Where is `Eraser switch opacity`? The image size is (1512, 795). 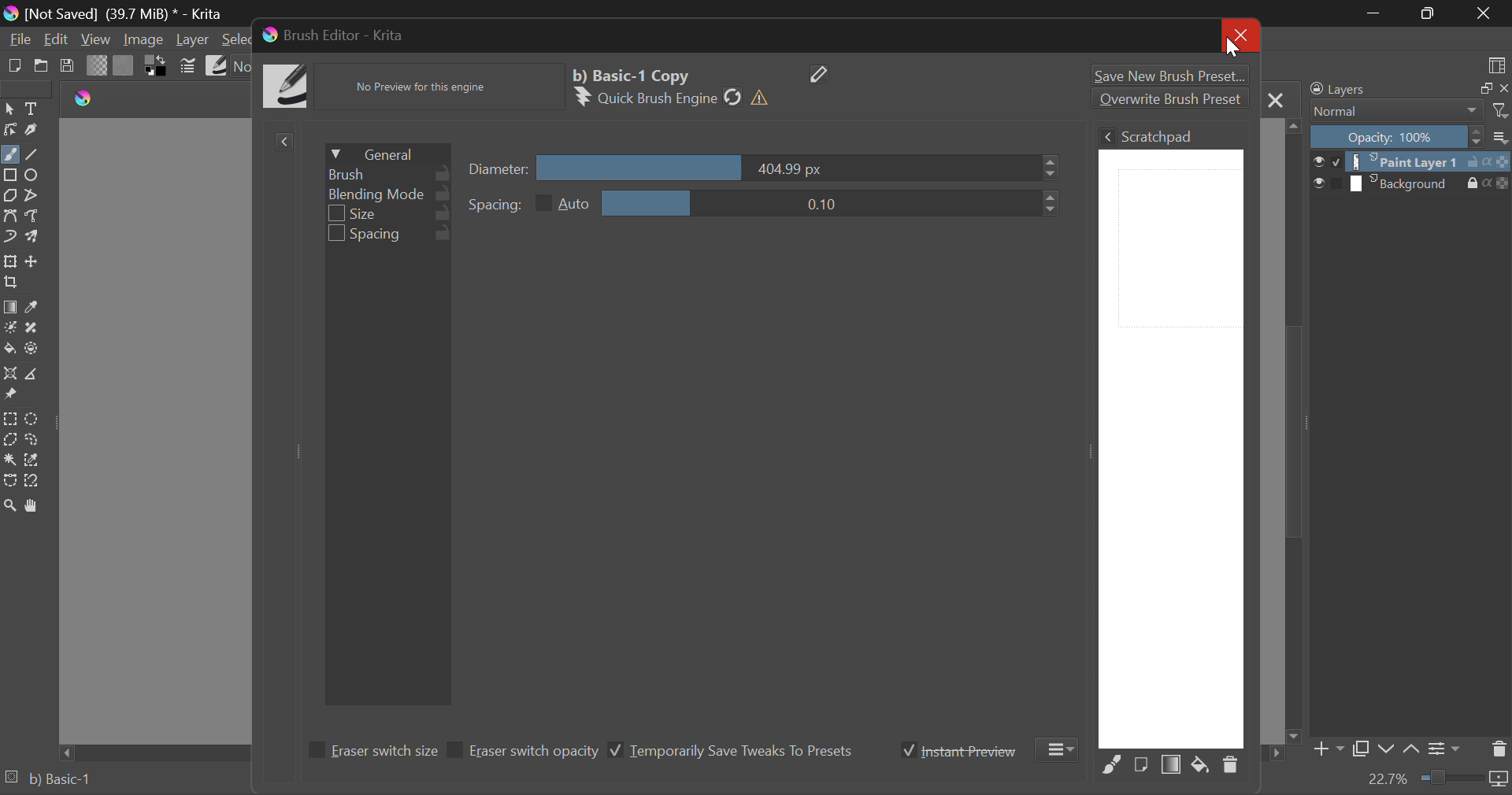
Eraser switch opacity is located at coordinates (524, 752).